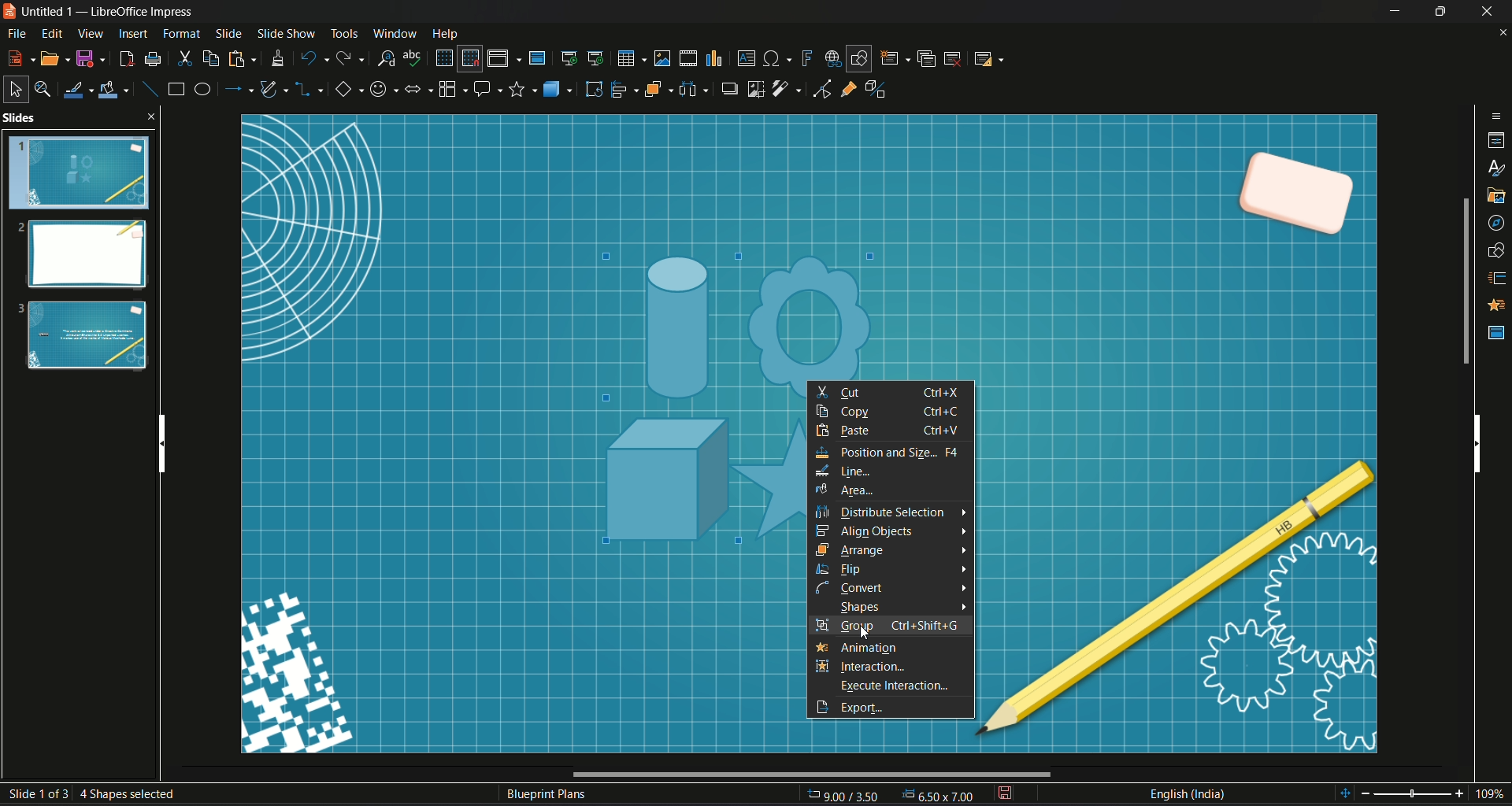 Image resolution: width=1512 pixels, height=806 pixels. What do you see at coordinates (347, 91) in the screenshot?
I see `basic shape` at bounding box center [347, 91].